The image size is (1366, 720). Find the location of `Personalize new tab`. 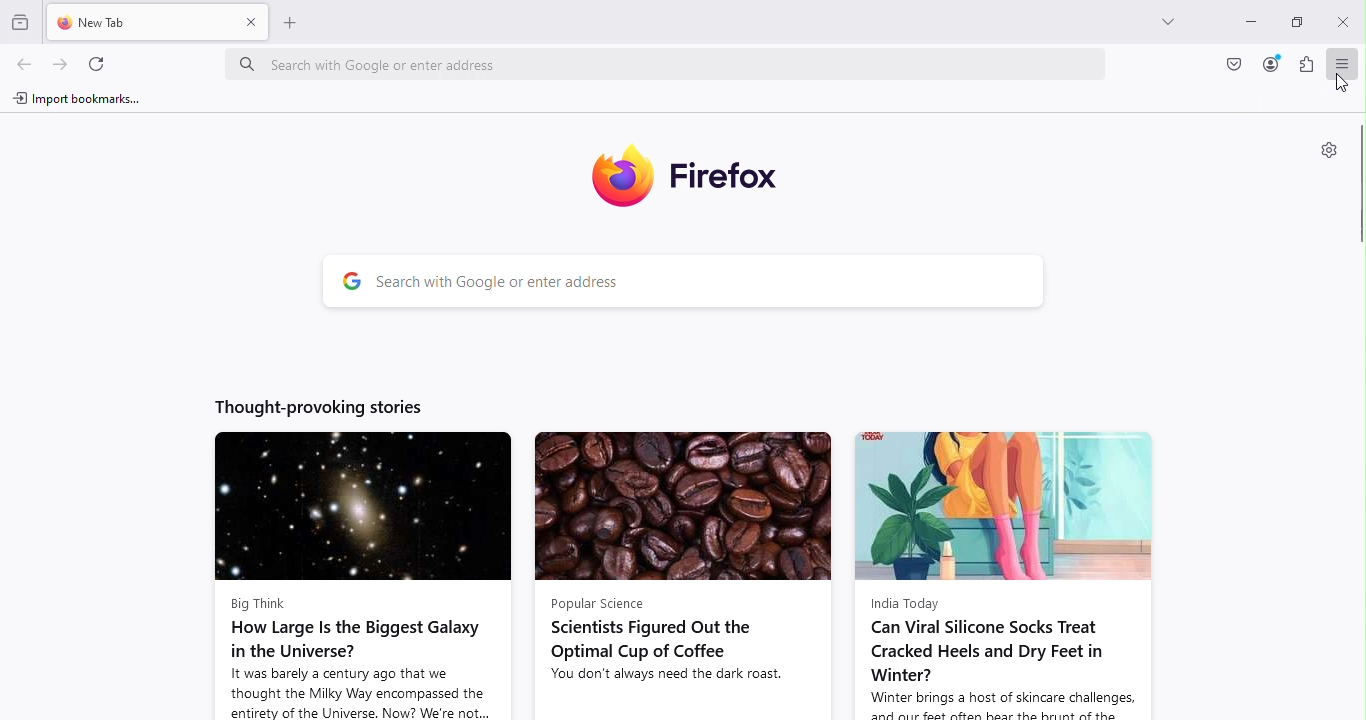

Personalize new tab is located at coordinates (1329, 153).